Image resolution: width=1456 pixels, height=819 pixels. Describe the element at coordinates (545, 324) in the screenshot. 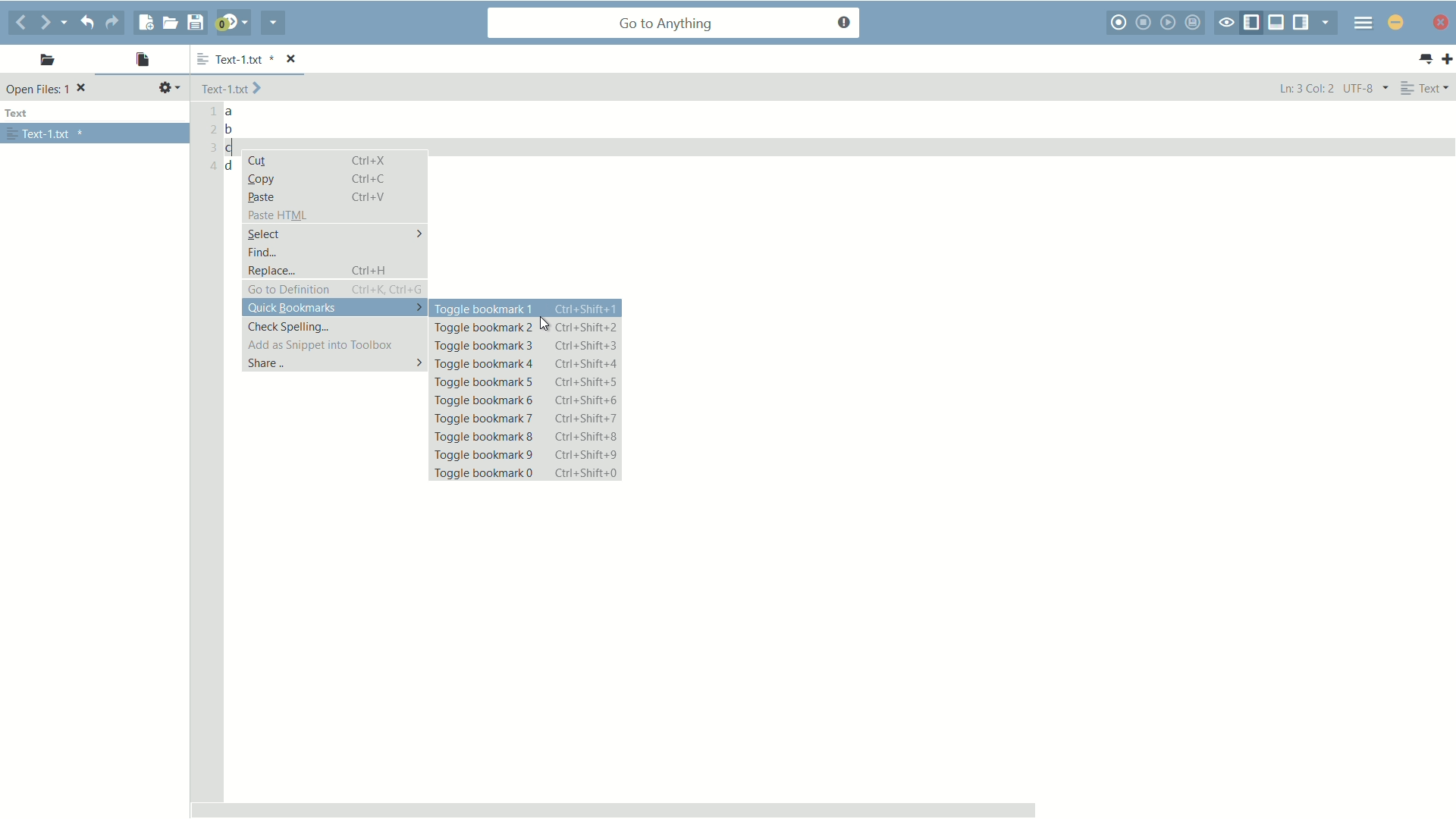

I see `cursor` at that location.